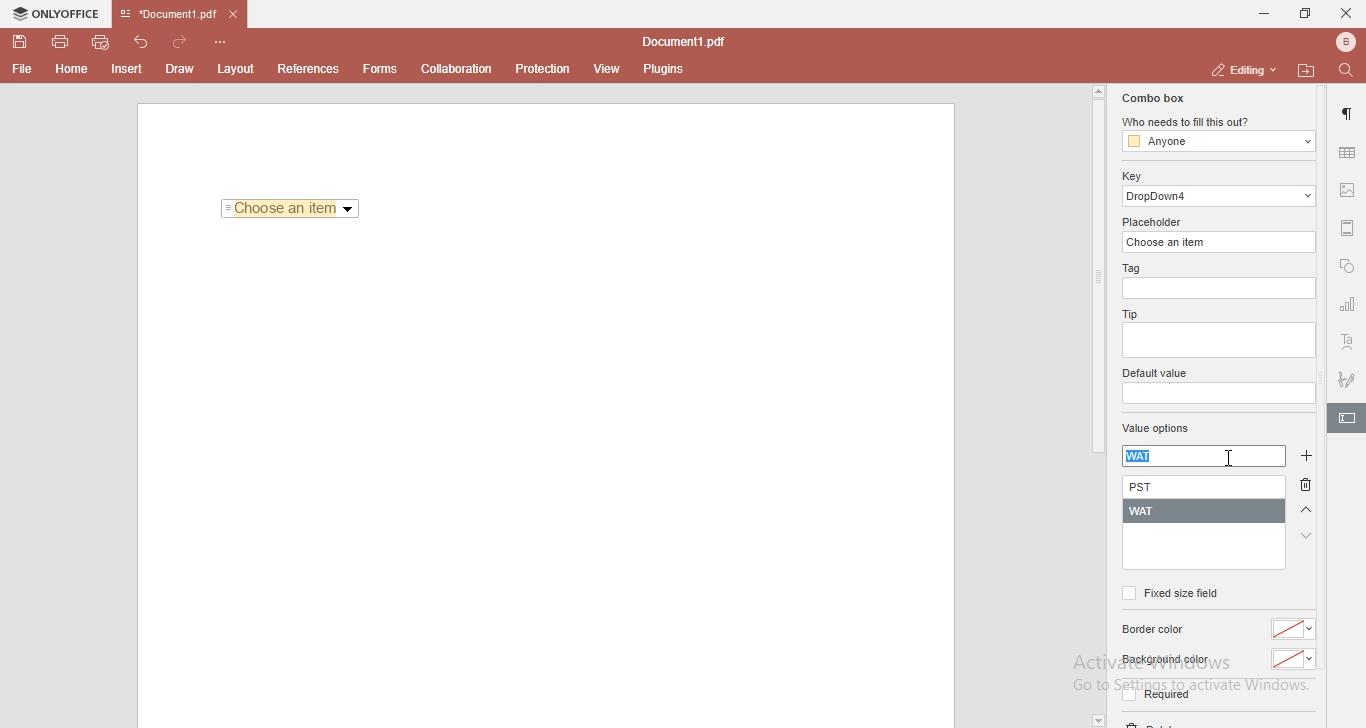  What do you see at coordinates (688, 43) in the screenshot?
I see `file name` at bounding box center [688, 43].